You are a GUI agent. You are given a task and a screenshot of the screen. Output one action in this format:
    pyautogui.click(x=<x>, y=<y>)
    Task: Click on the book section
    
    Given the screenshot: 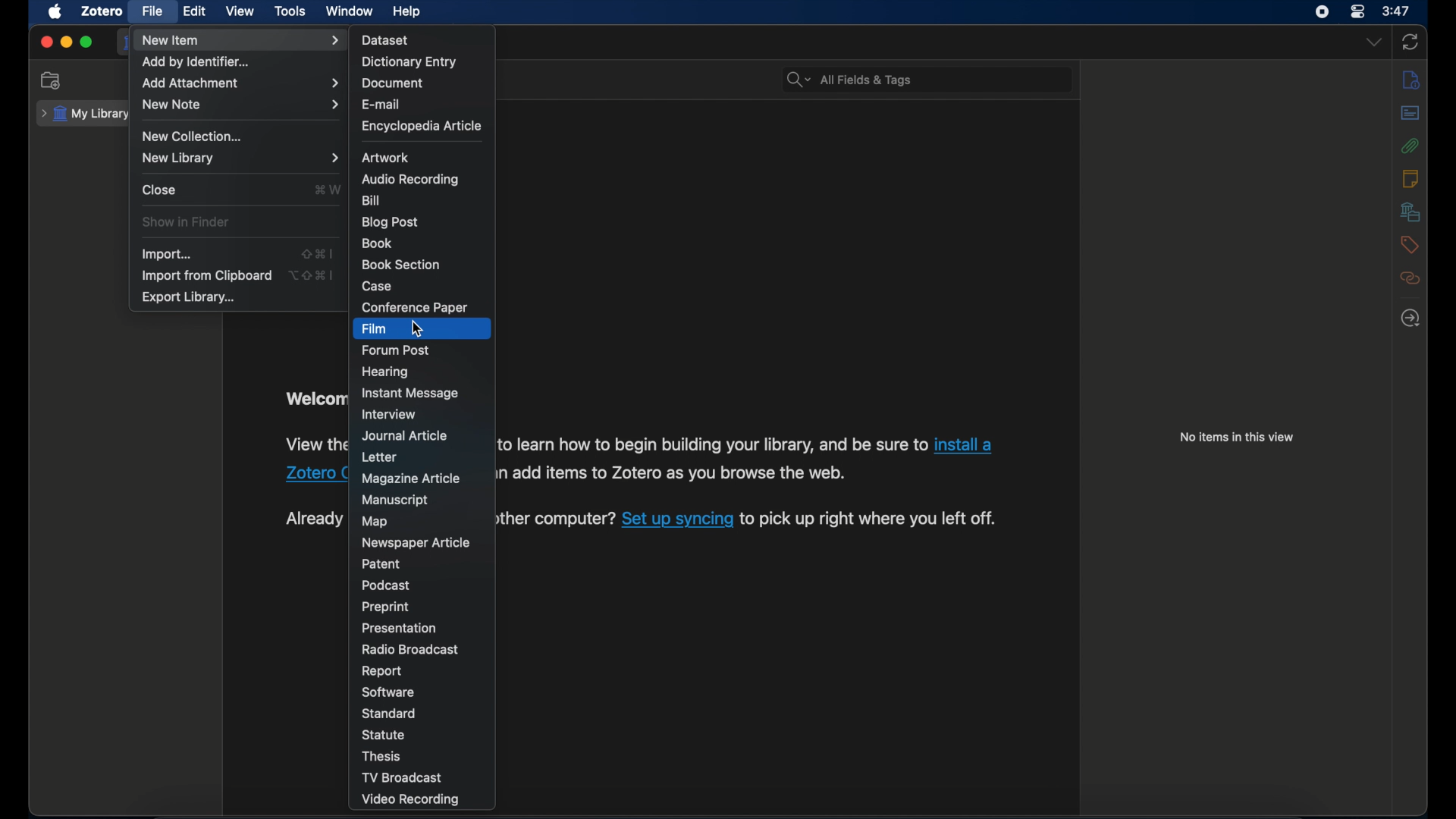 What is the action you would take?
    pyautogui.click(x=402, y=265)
    